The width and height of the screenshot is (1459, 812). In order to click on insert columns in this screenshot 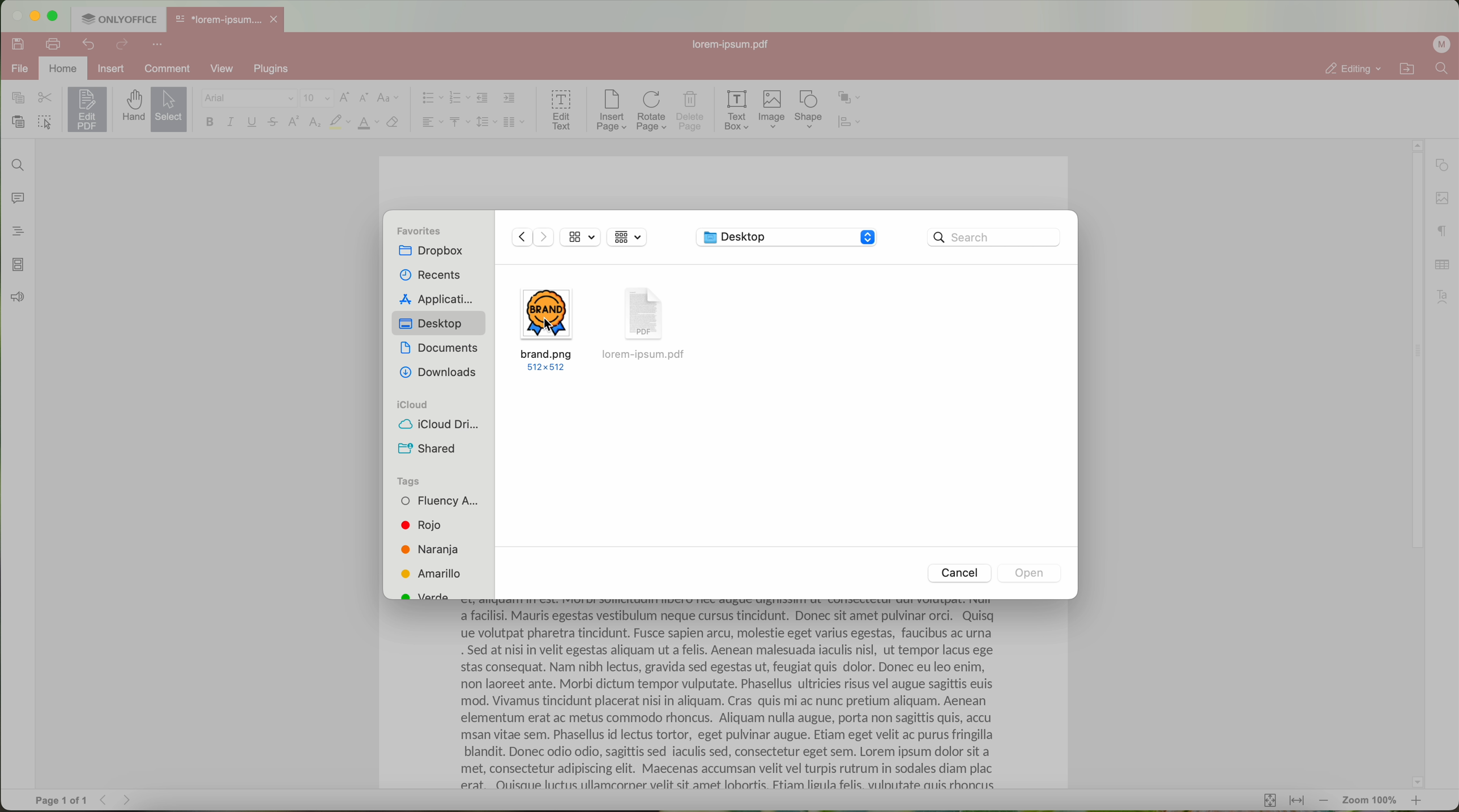, I will do `click(515, 123)`.